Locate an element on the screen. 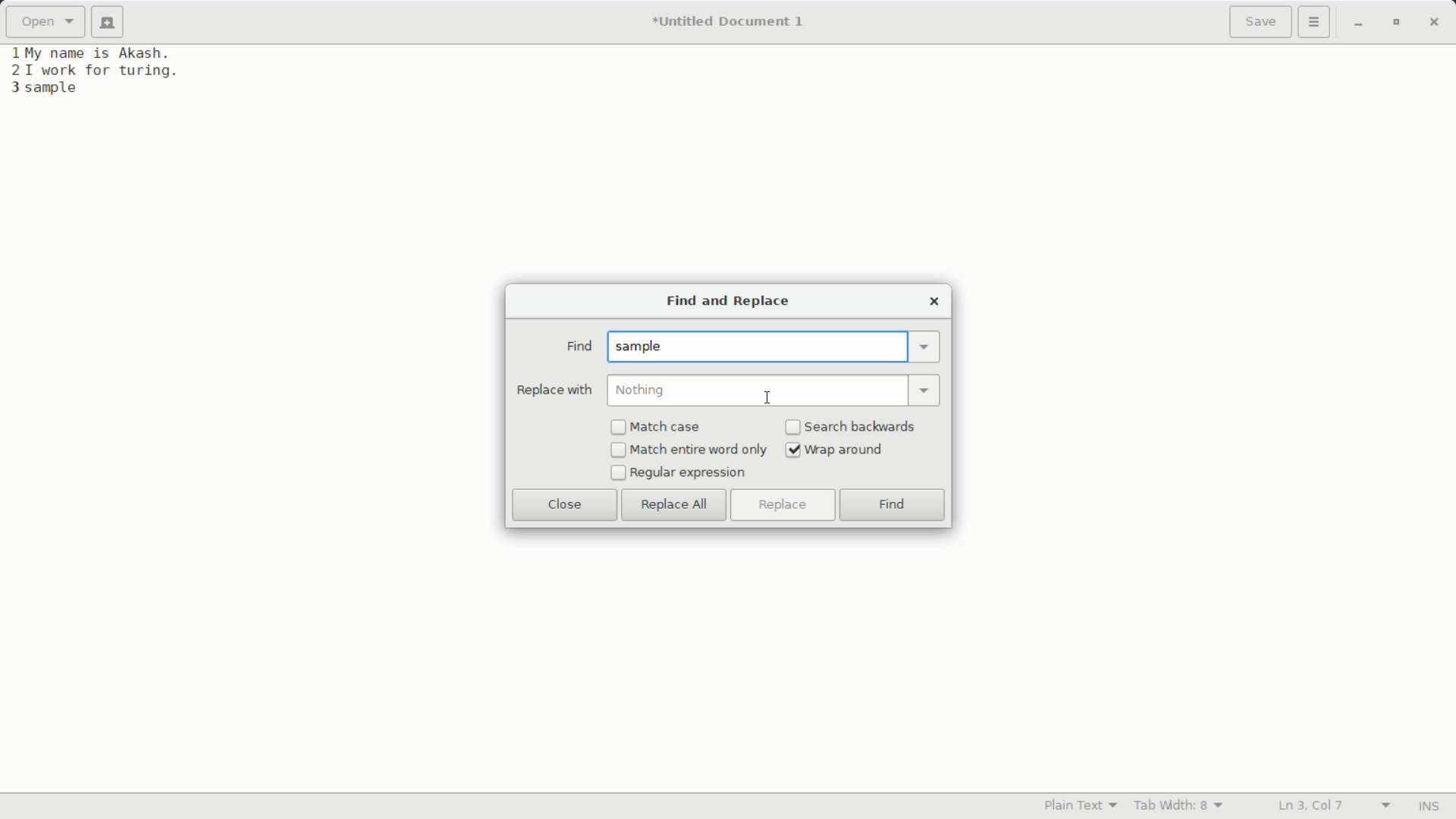 The height and width of the screenshot is (819, 1456). plain text is located at coordinates (1084, 805).